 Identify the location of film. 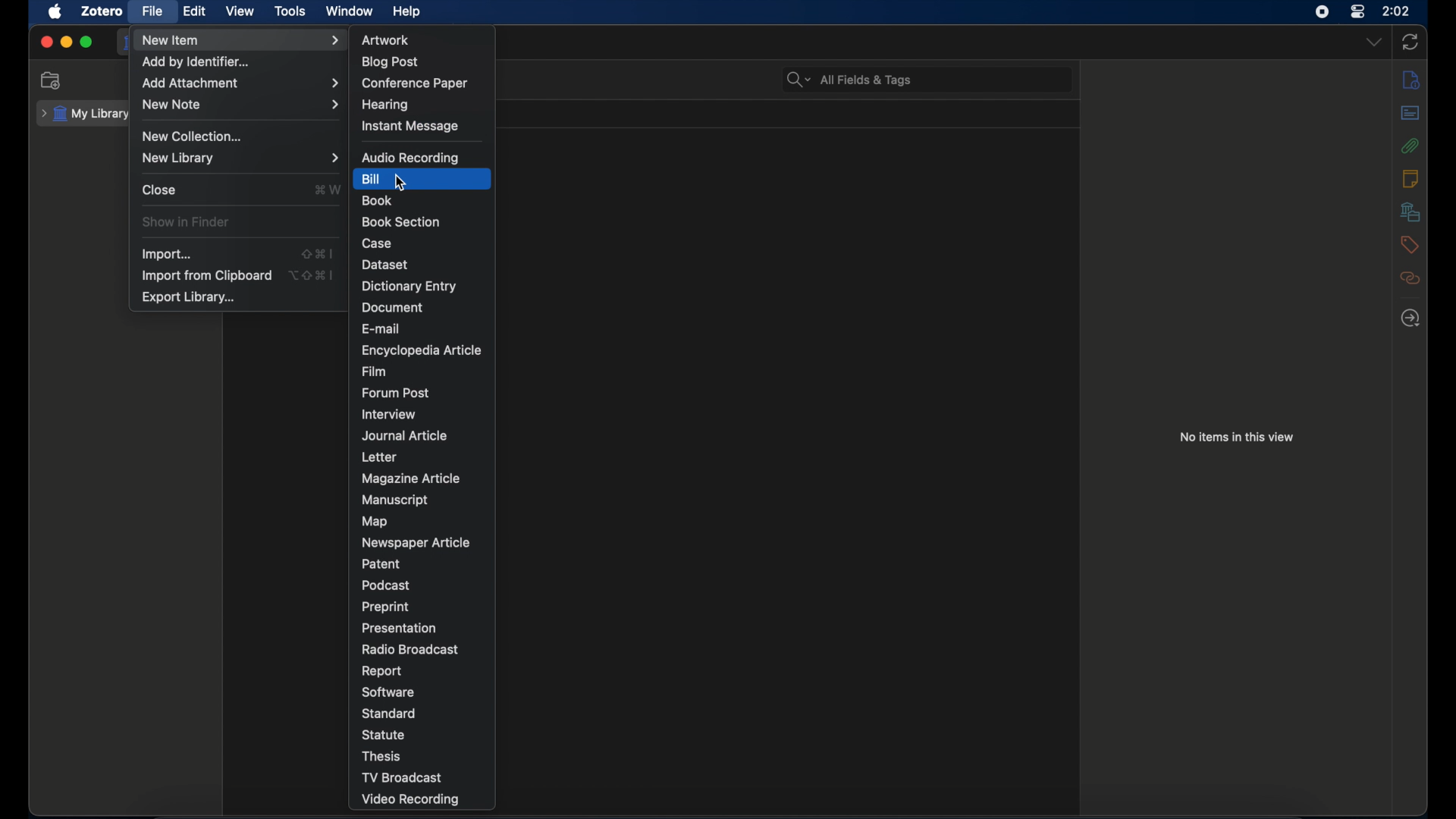
(376, 372).